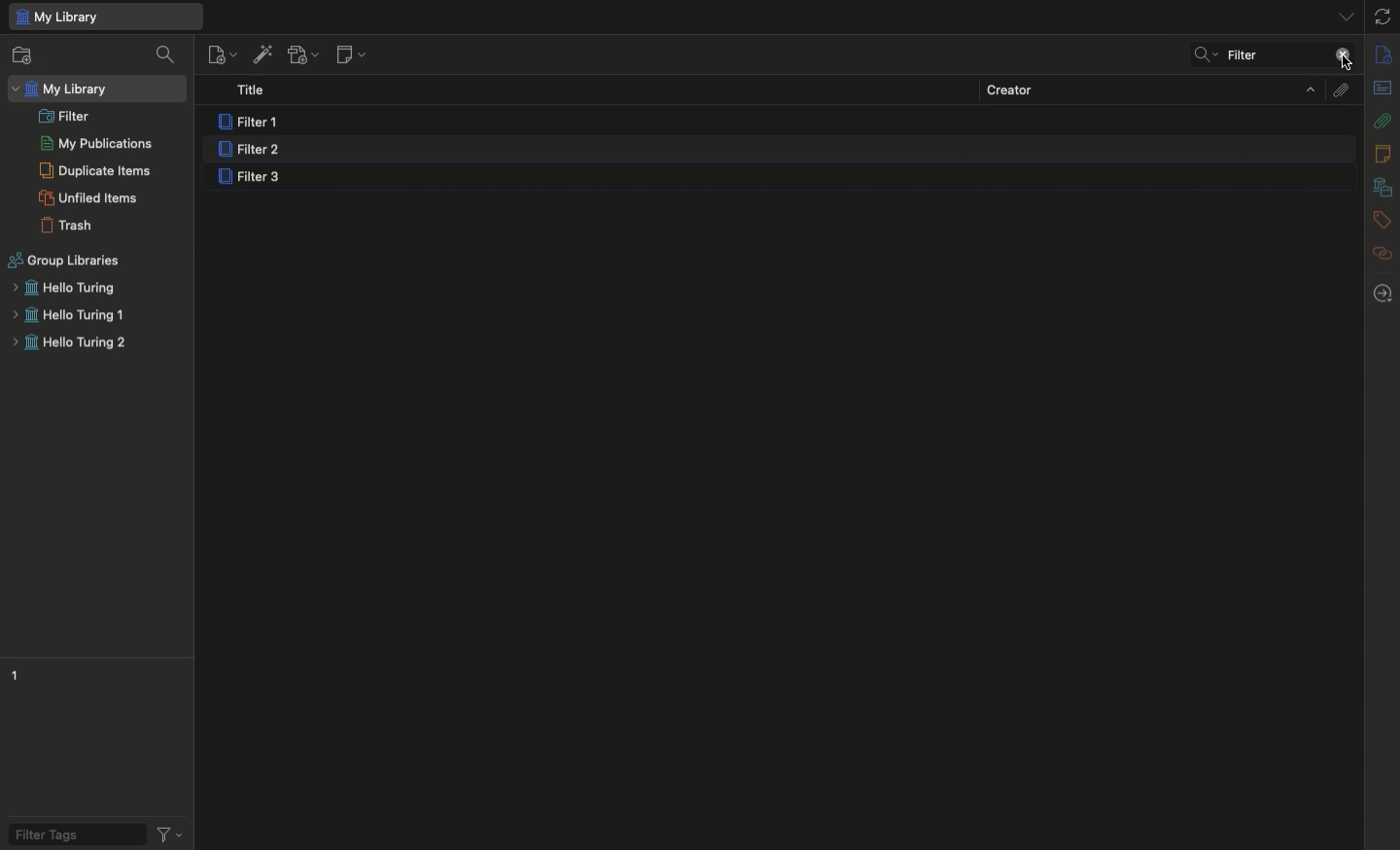  What do you see at coordinates (67, 226) in the screenshot?
I see `Trash` at bounding box center [67, 226].